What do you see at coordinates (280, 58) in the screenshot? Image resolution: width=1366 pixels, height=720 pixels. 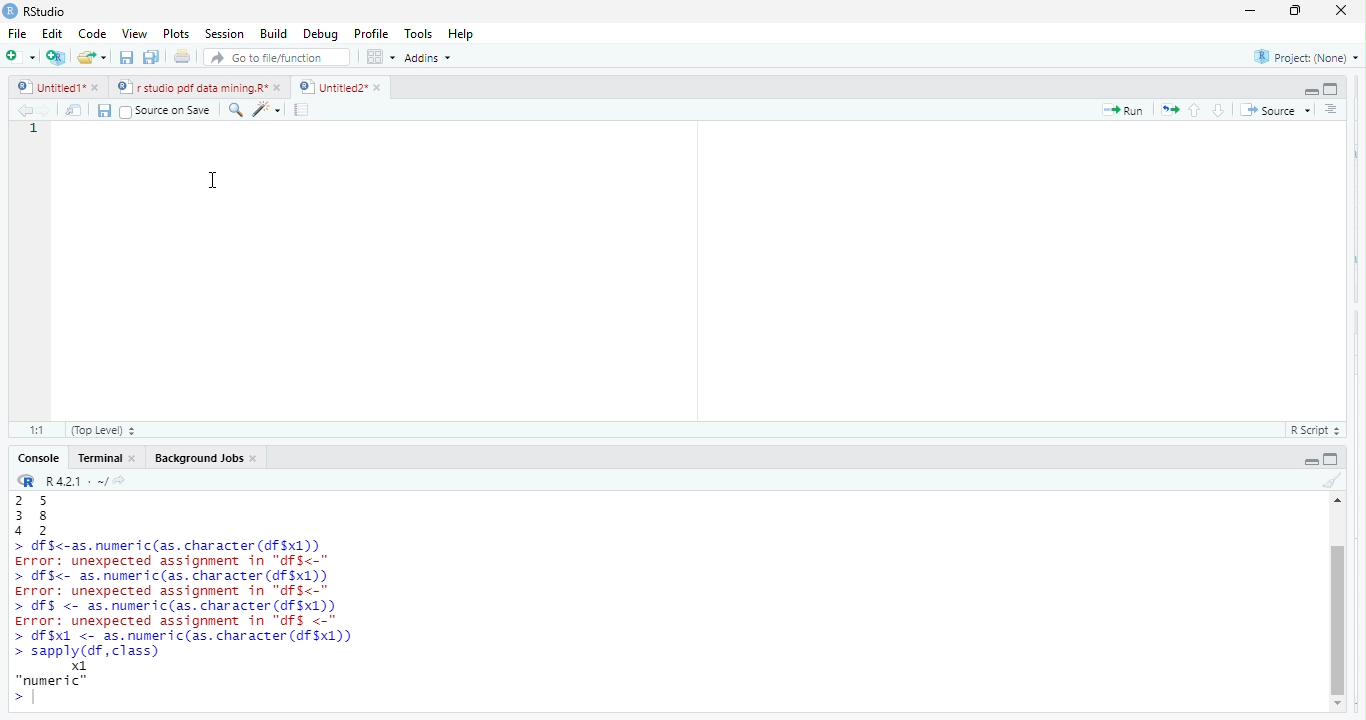 I see ` Goto fileffunction ` at bounding box center [280, 58].